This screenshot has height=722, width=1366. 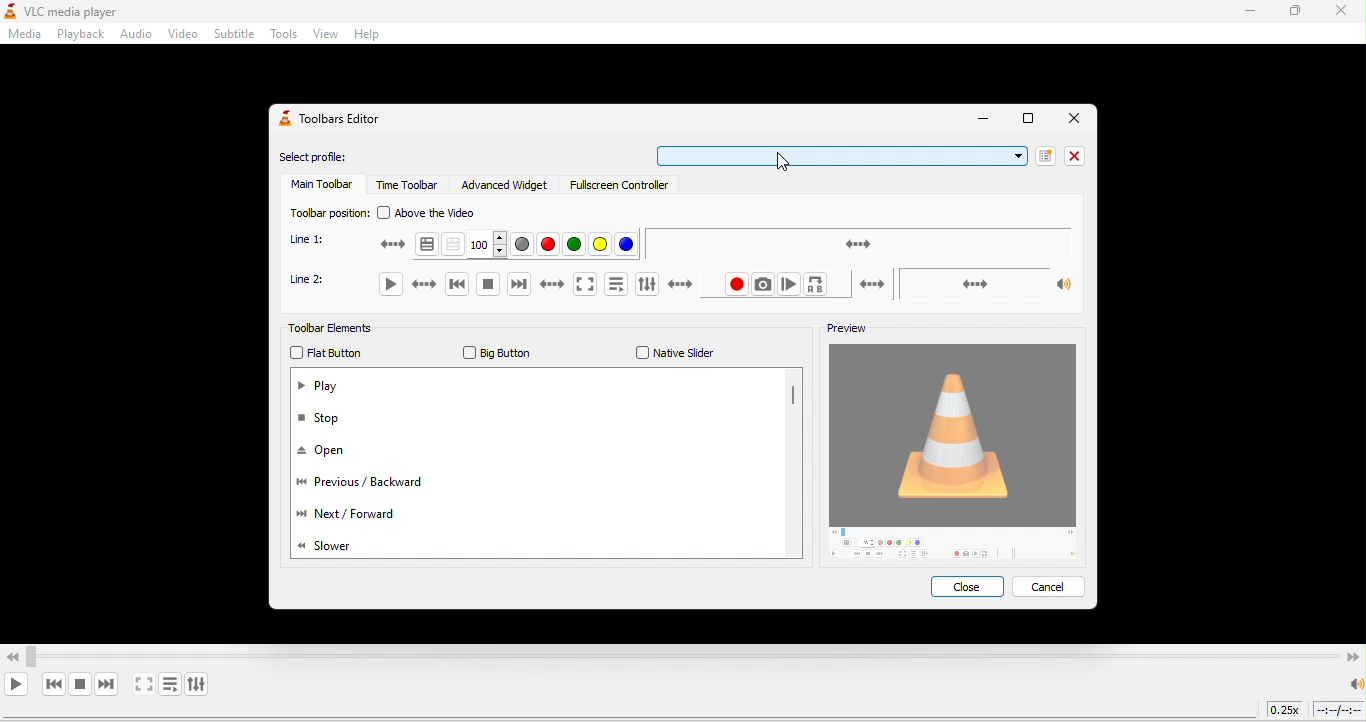 What do you see at coordinates (200, 682) in the screenshot?
I see `show extended settings` at bounding box center [200, 682].